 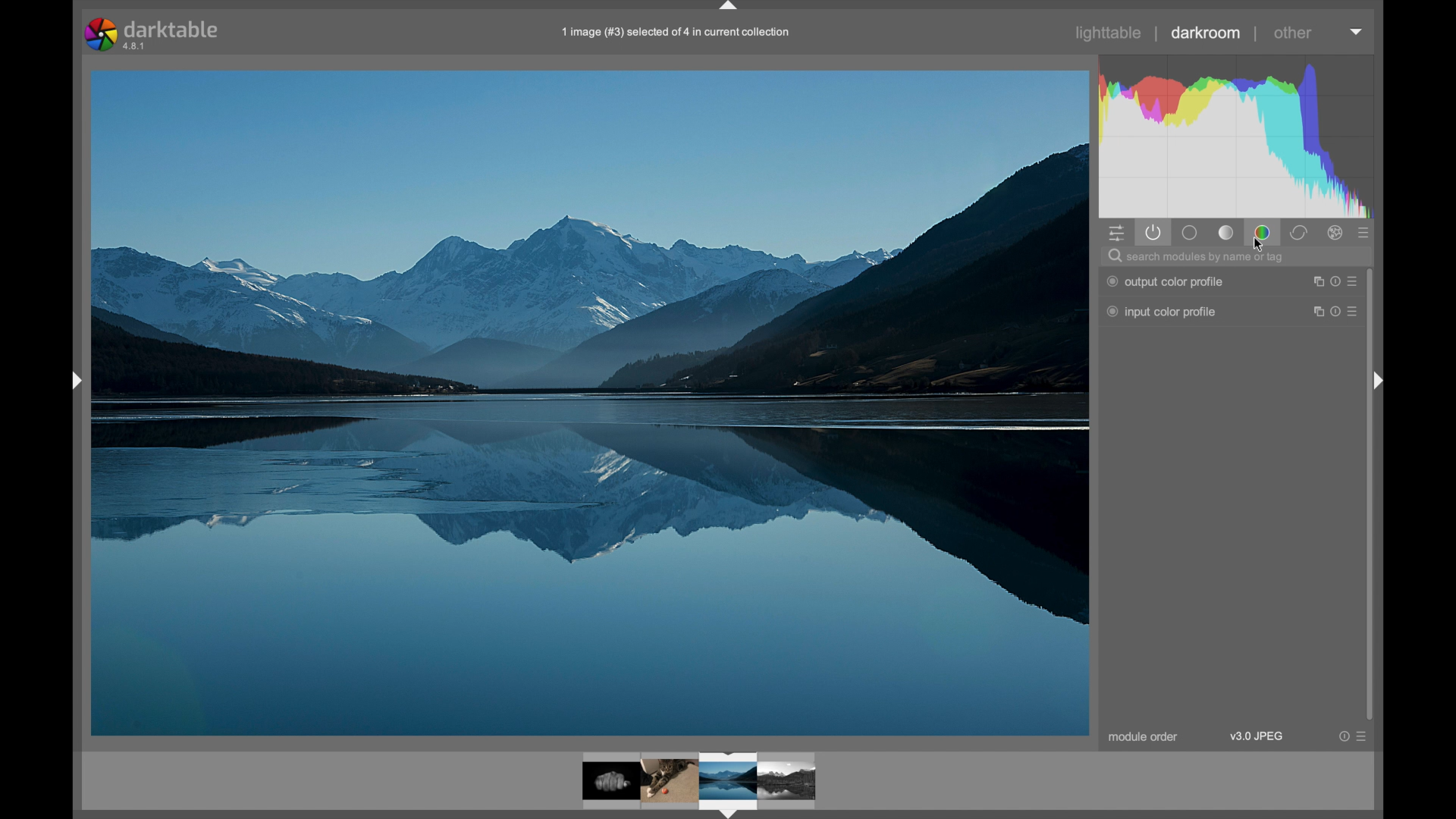 What do you see at coordinates (154, 35) in the screenshot?
I see `darktable` at bounding box center [154, 35].